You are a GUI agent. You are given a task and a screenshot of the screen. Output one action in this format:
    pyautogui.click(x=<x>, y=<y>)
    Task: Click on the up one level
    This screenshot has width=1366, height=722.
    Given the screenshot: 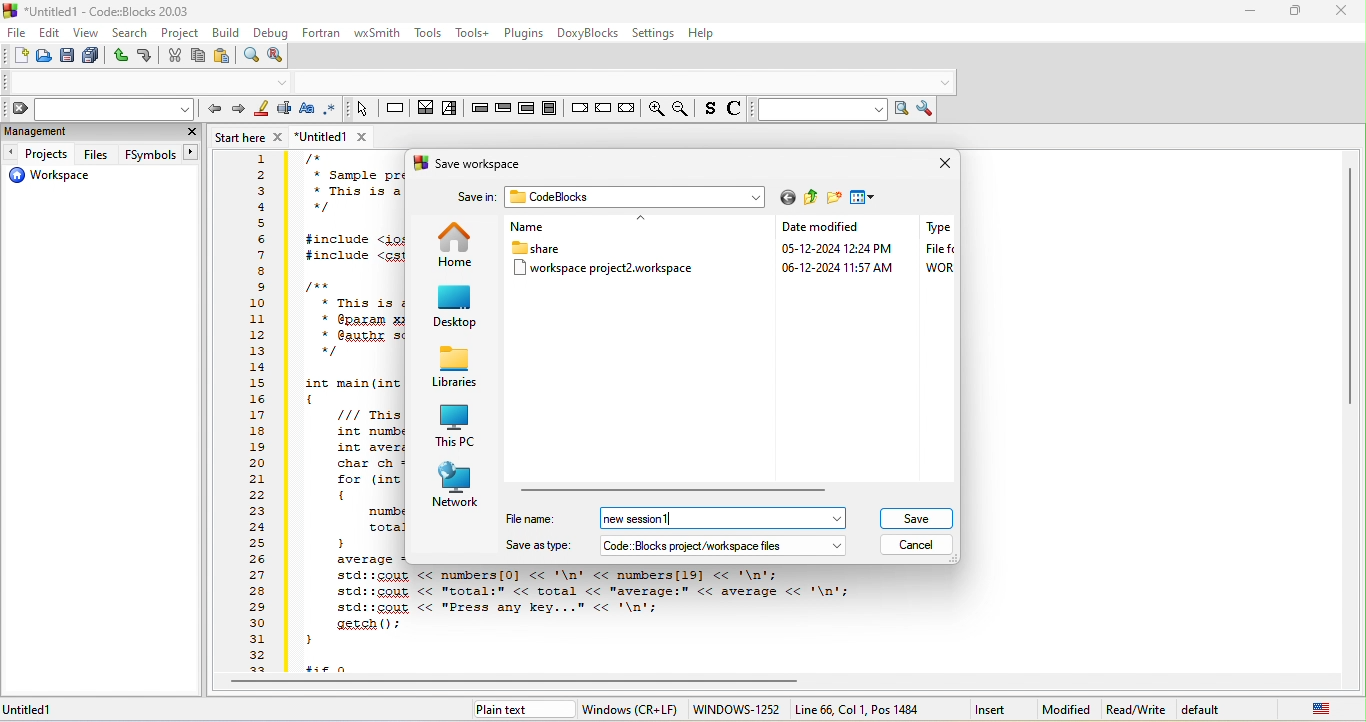 What is the action you would take?
    pyautogui.click(x=812, y=198)
    